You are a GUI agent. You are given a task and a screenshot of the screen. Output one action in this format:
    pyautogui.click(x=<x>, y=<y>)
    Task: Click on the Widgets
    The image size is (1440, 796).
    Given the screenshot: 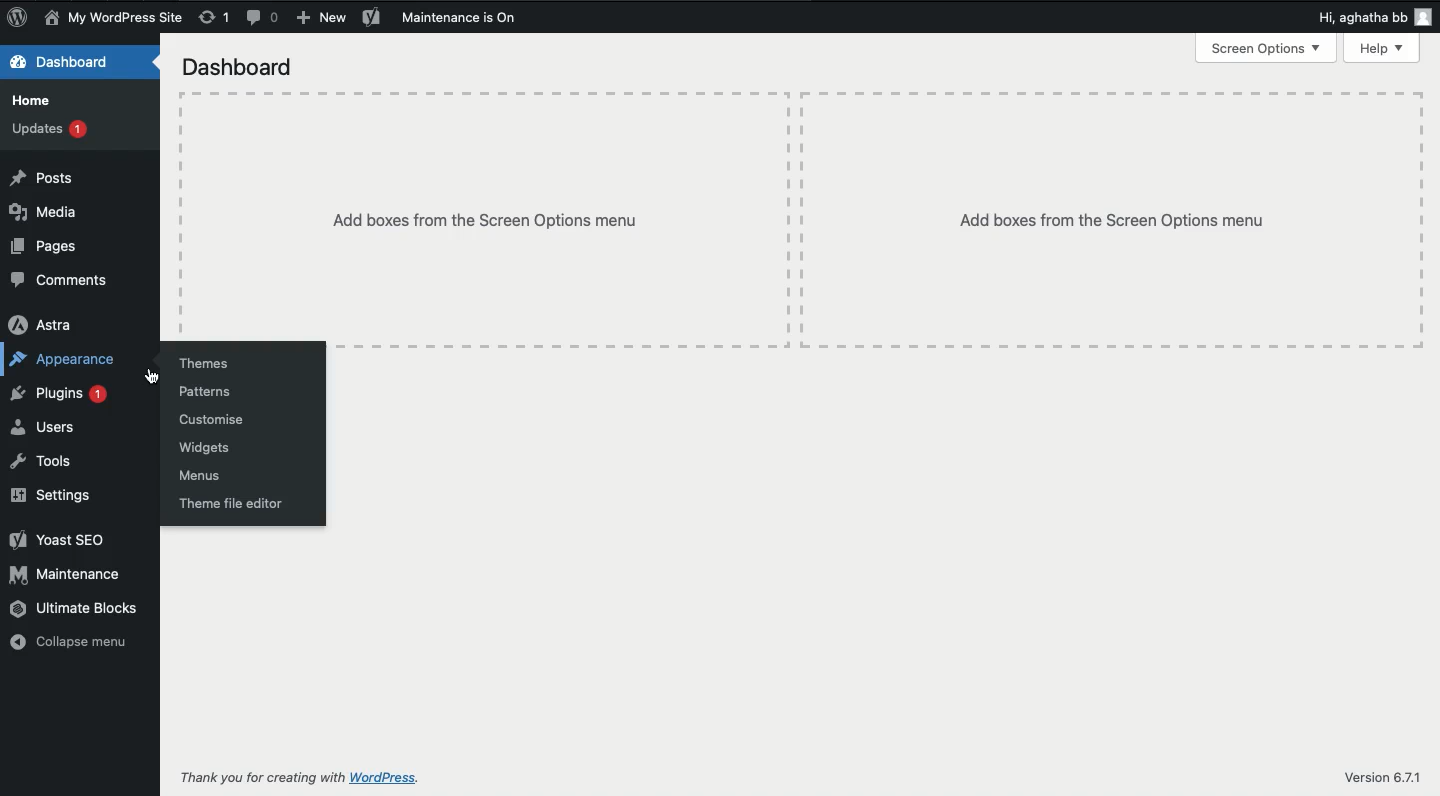 What is the action you would take?
    pyautogui.click(x=206, y=448)
    